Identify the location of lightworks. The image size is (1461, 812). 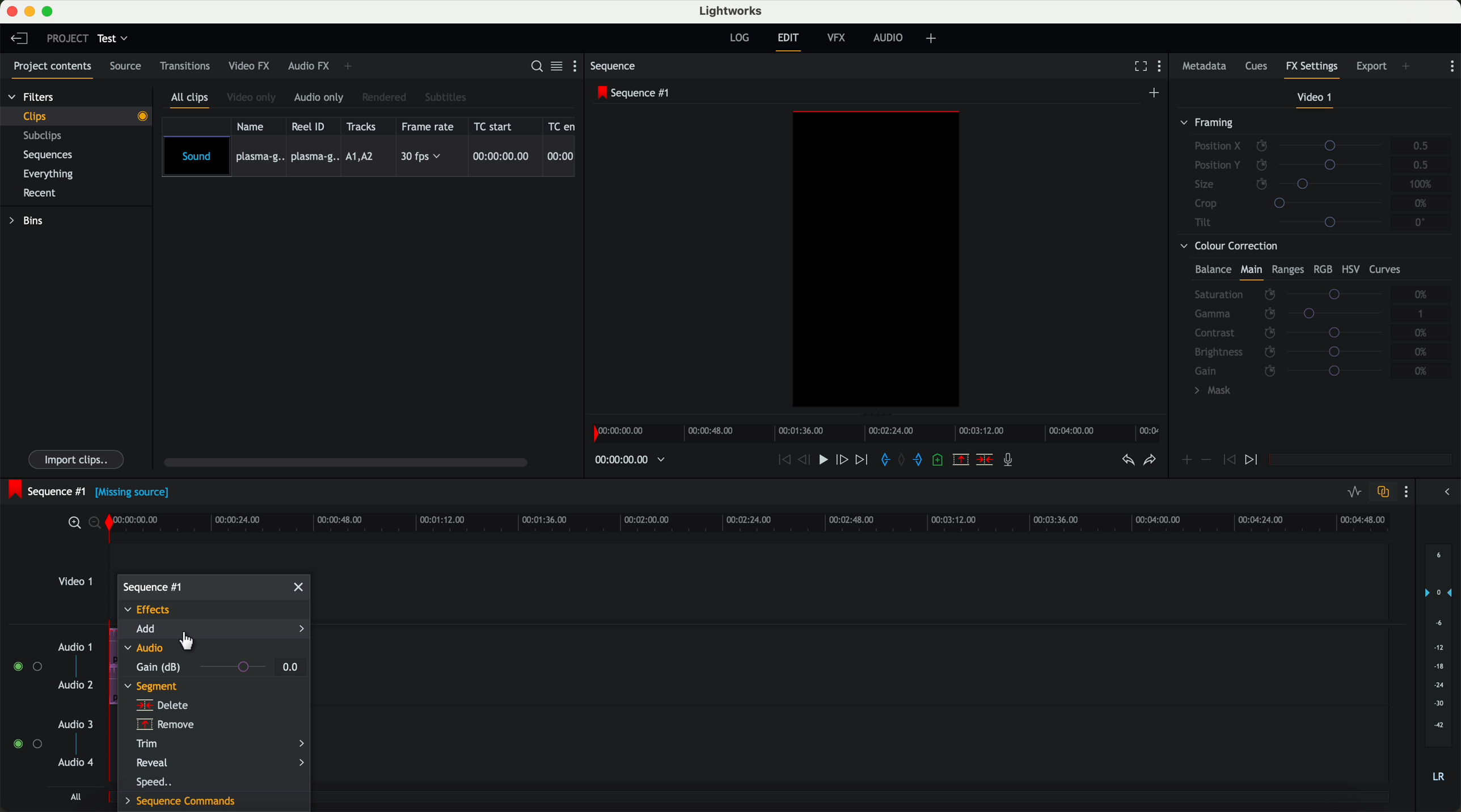
(733, 11).